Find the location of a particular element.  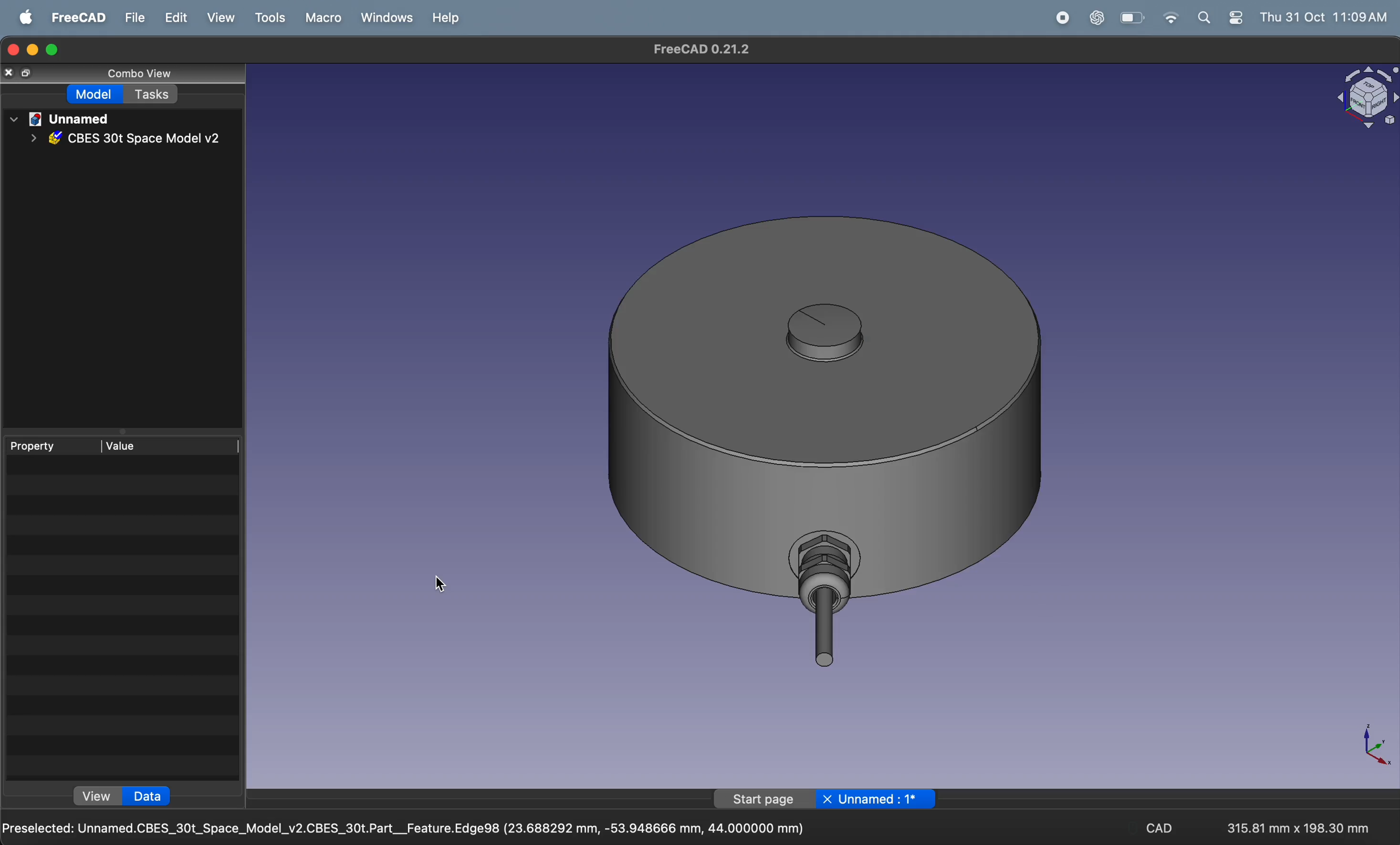

restore is located at coordinates (35, 50).